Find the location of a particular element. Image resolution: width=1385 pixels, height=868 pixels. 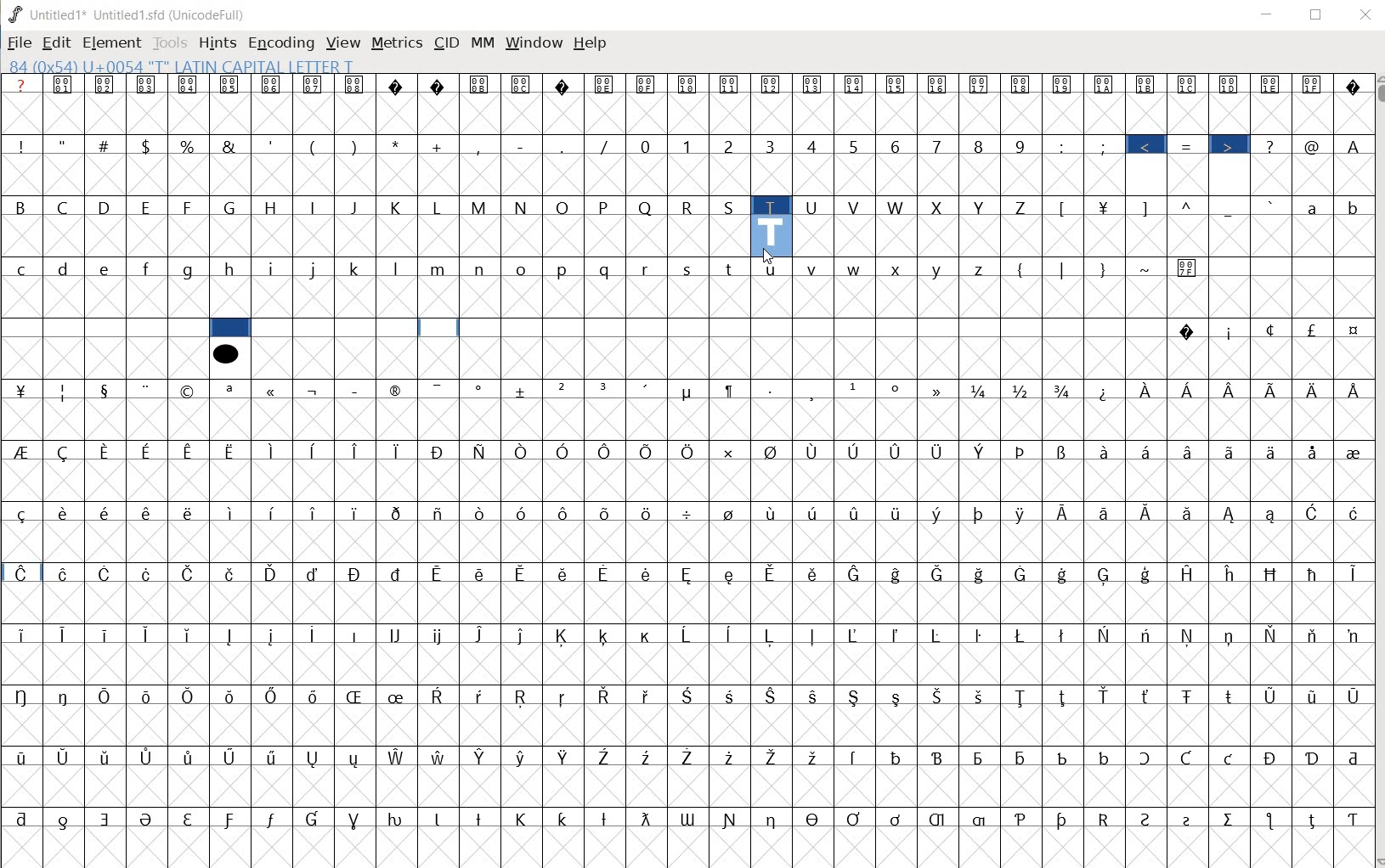

glyph info is located at coordinates (180, 65).